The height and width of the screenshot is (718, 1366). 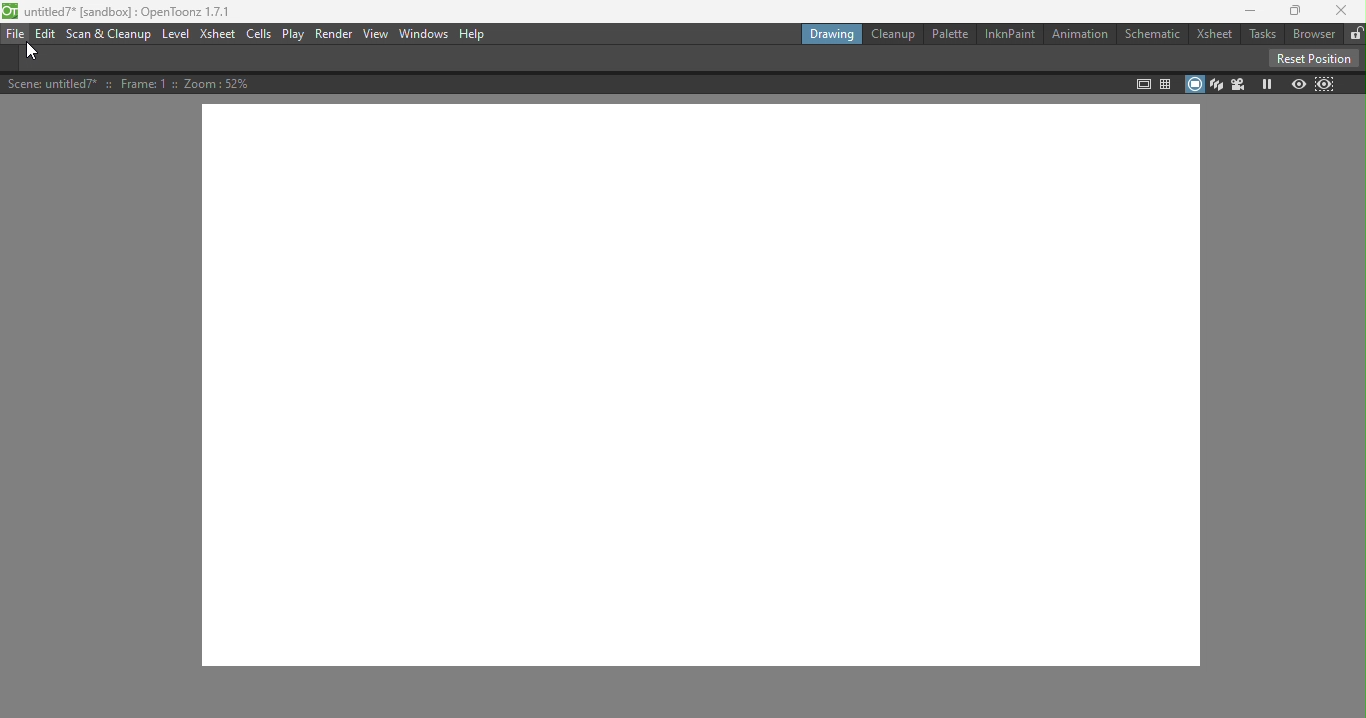 What do you see at coordinates (1312, 34) in the screenshot?
I see `Browser` at bounding box center [1312, 34].